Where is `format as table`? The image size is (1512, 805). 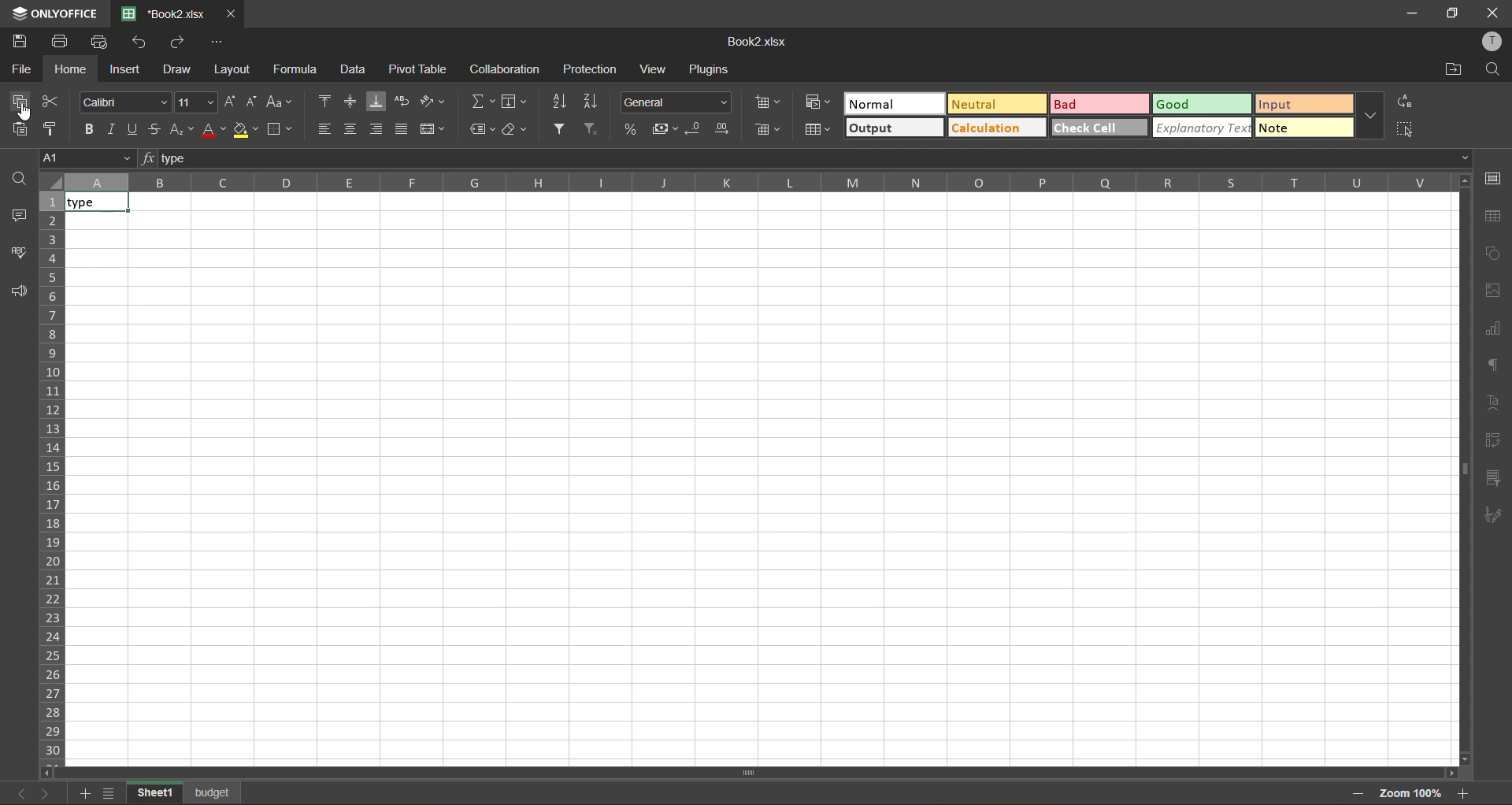 format as table is located at coordinates (817, 130).